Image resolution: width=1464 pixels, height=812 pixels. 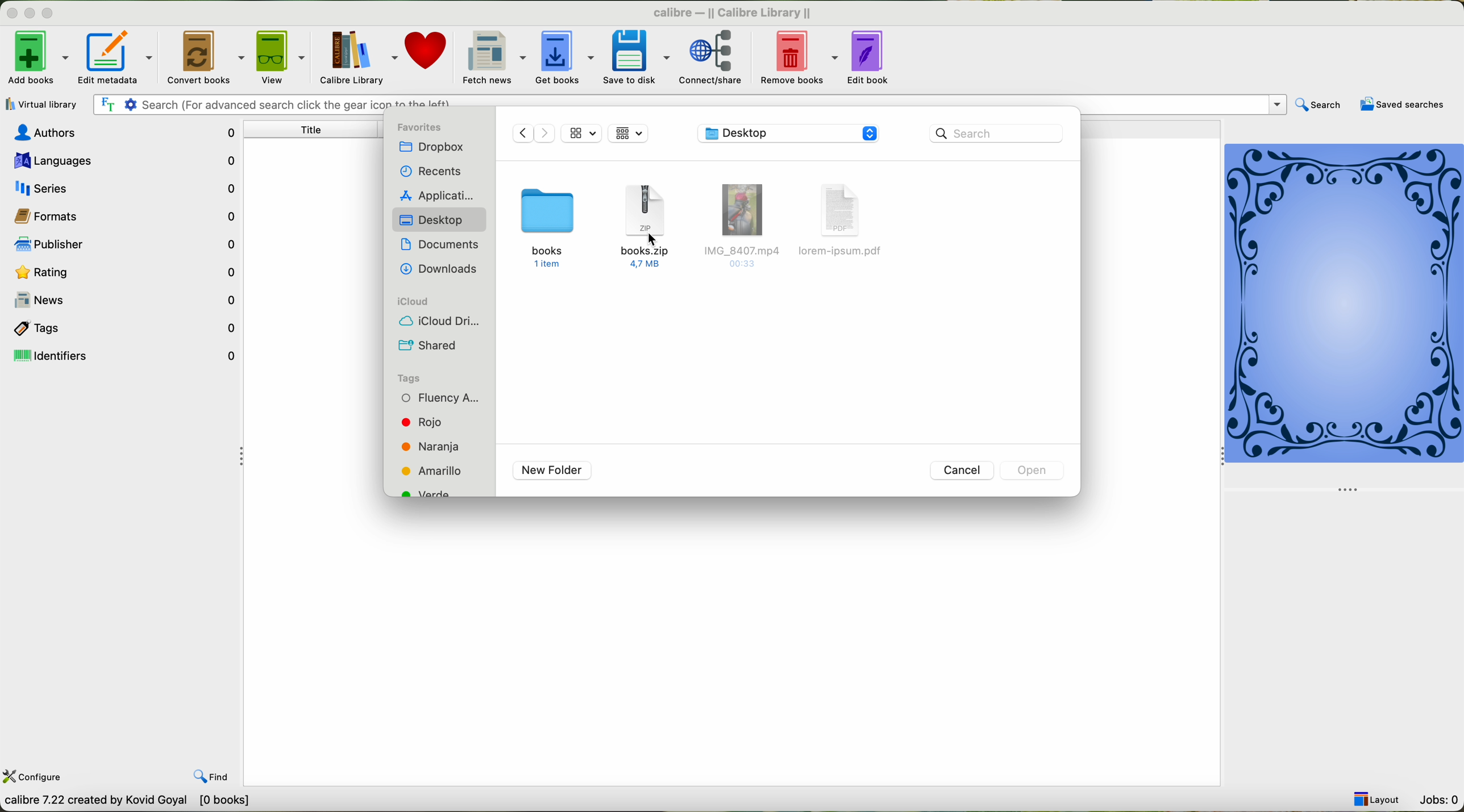 I want to click on saved searches, so click(x=1403, y=106).